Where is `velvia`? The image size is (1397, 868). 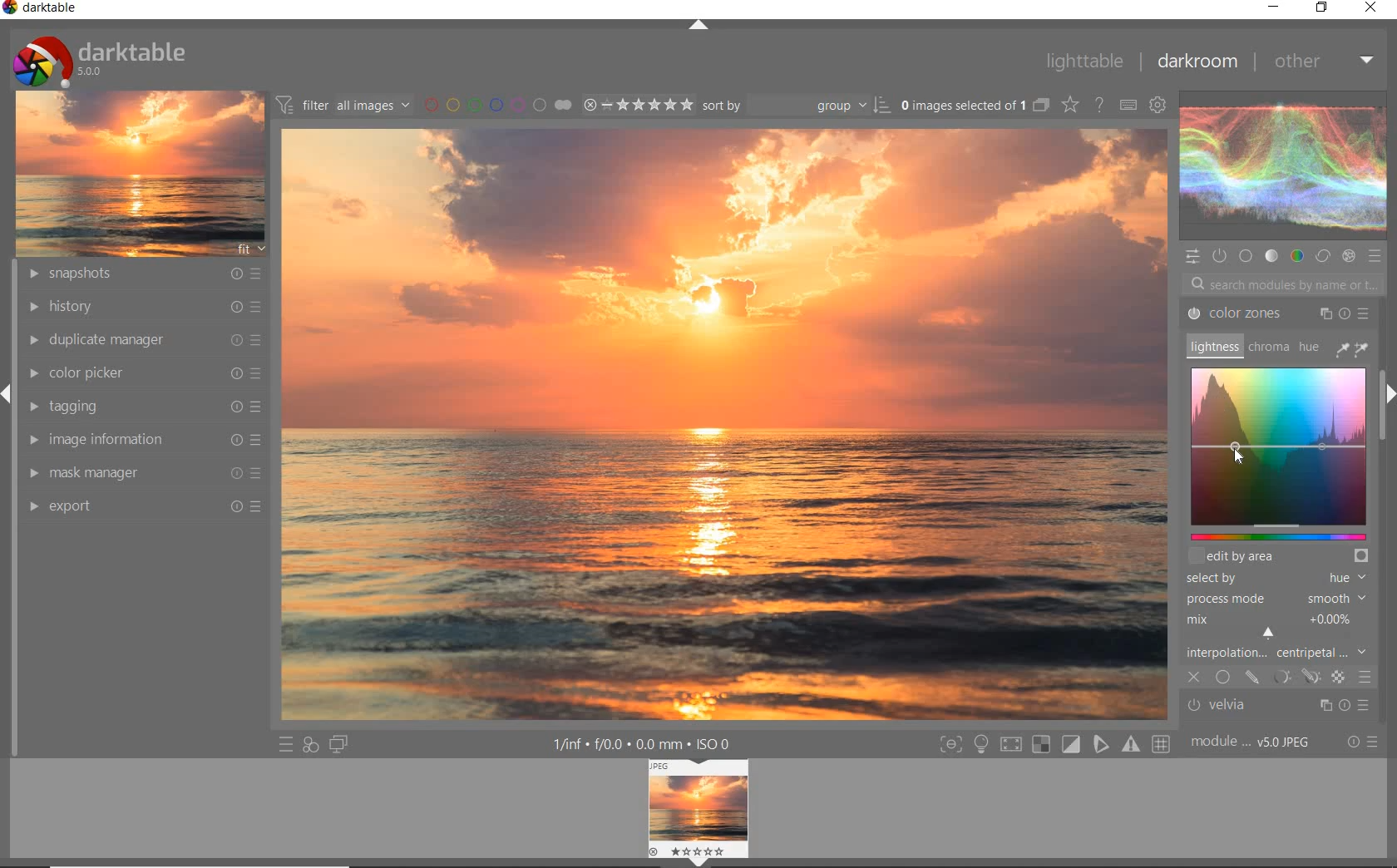 velvia is located at coordinates (1273, 707).